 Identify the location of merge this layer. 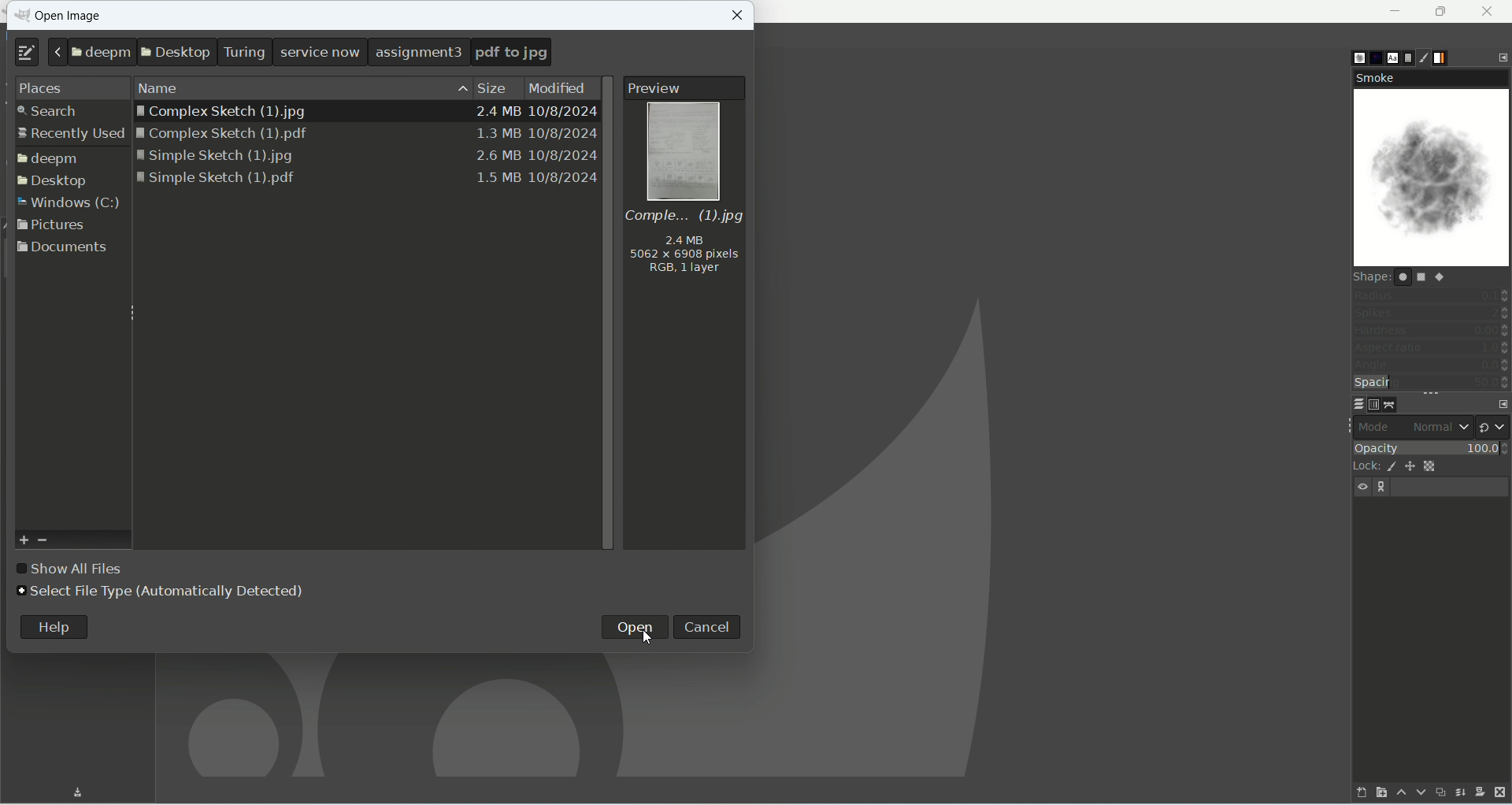
(1460, 794).